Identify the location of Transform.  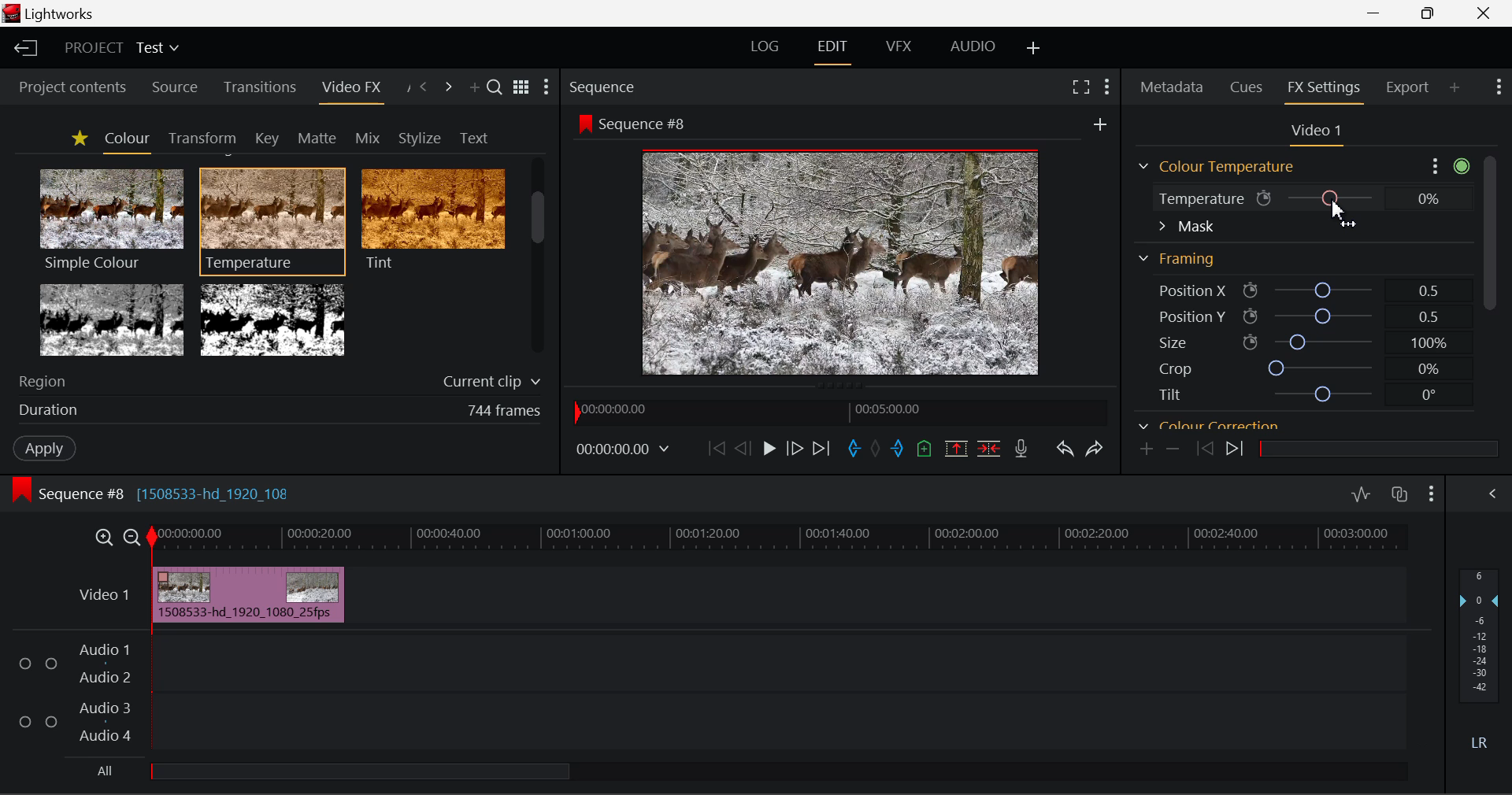
(199, 137).